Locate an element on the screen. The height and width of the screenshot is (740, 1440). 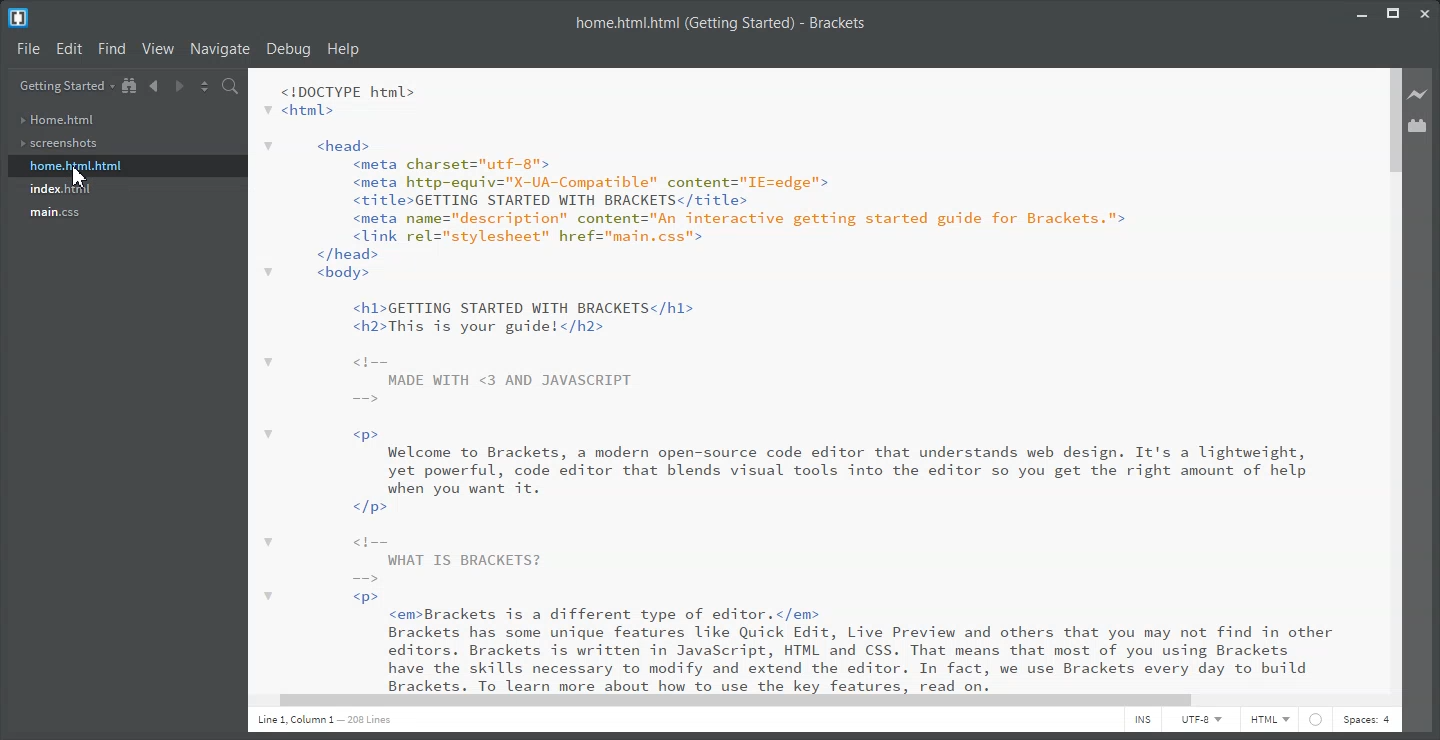
Horizontal Scroll bar  is located at coordinates (810, 699).